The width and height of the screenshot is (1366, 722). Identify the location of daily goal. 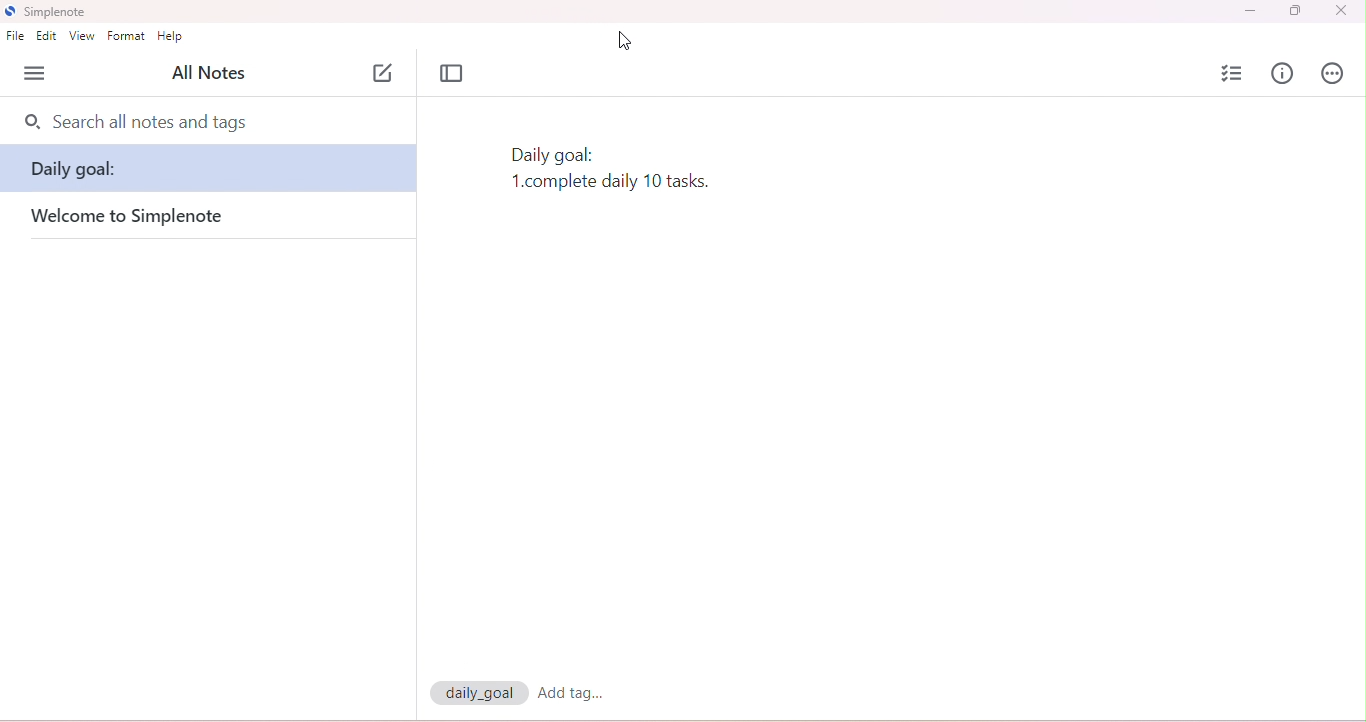
(210, 174).